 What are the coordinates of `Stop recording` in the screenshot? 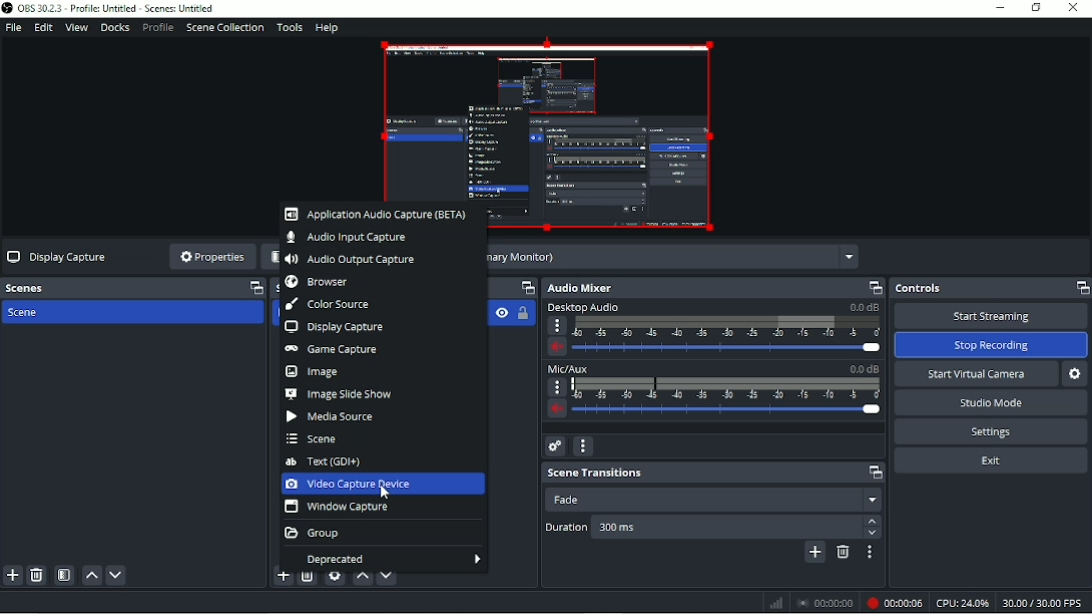 It's located at (825, 604).